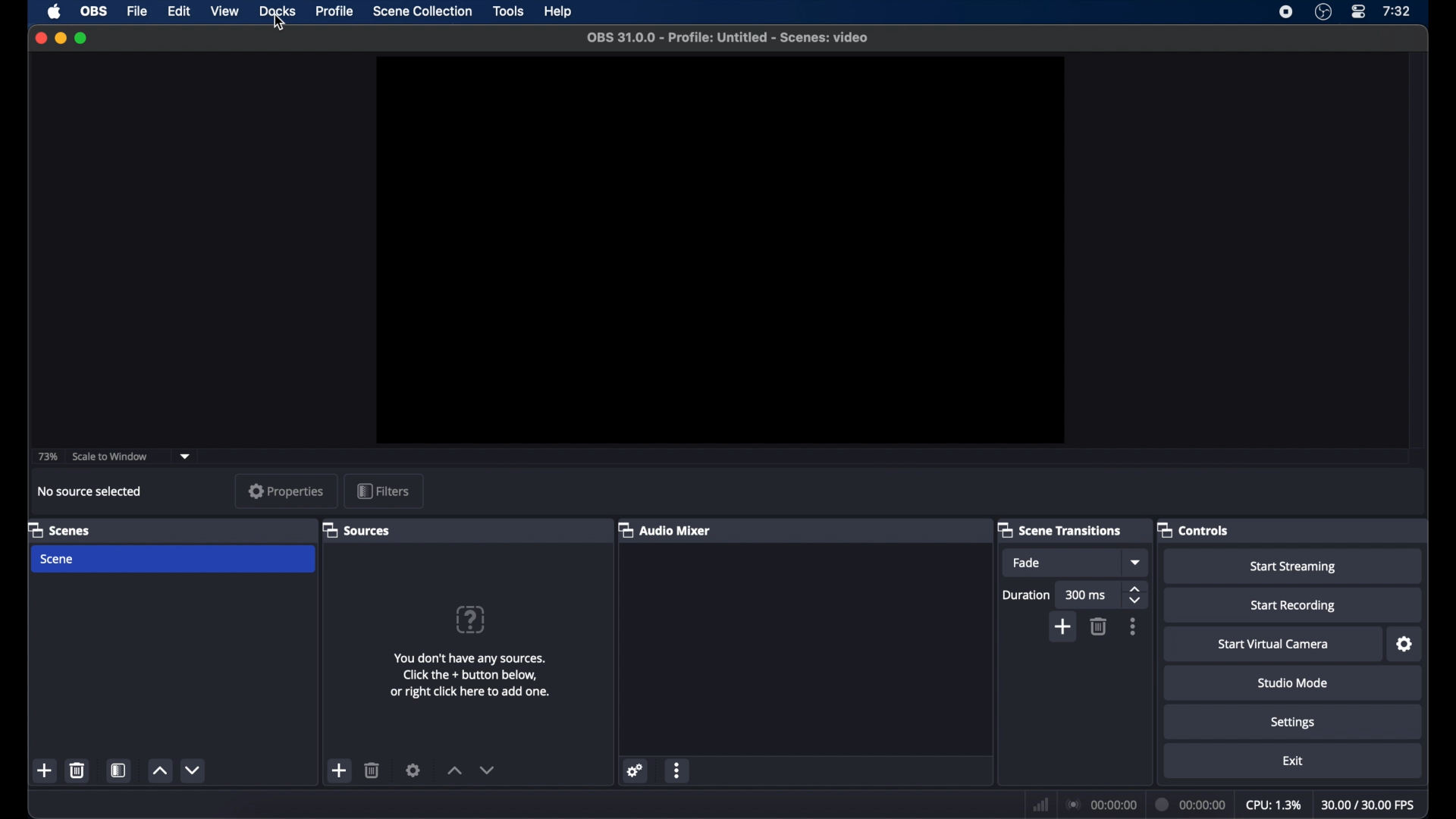  Describe the element at coordinates (1286, 12) in the screenshot. I see `screen recorder icon` at that location.